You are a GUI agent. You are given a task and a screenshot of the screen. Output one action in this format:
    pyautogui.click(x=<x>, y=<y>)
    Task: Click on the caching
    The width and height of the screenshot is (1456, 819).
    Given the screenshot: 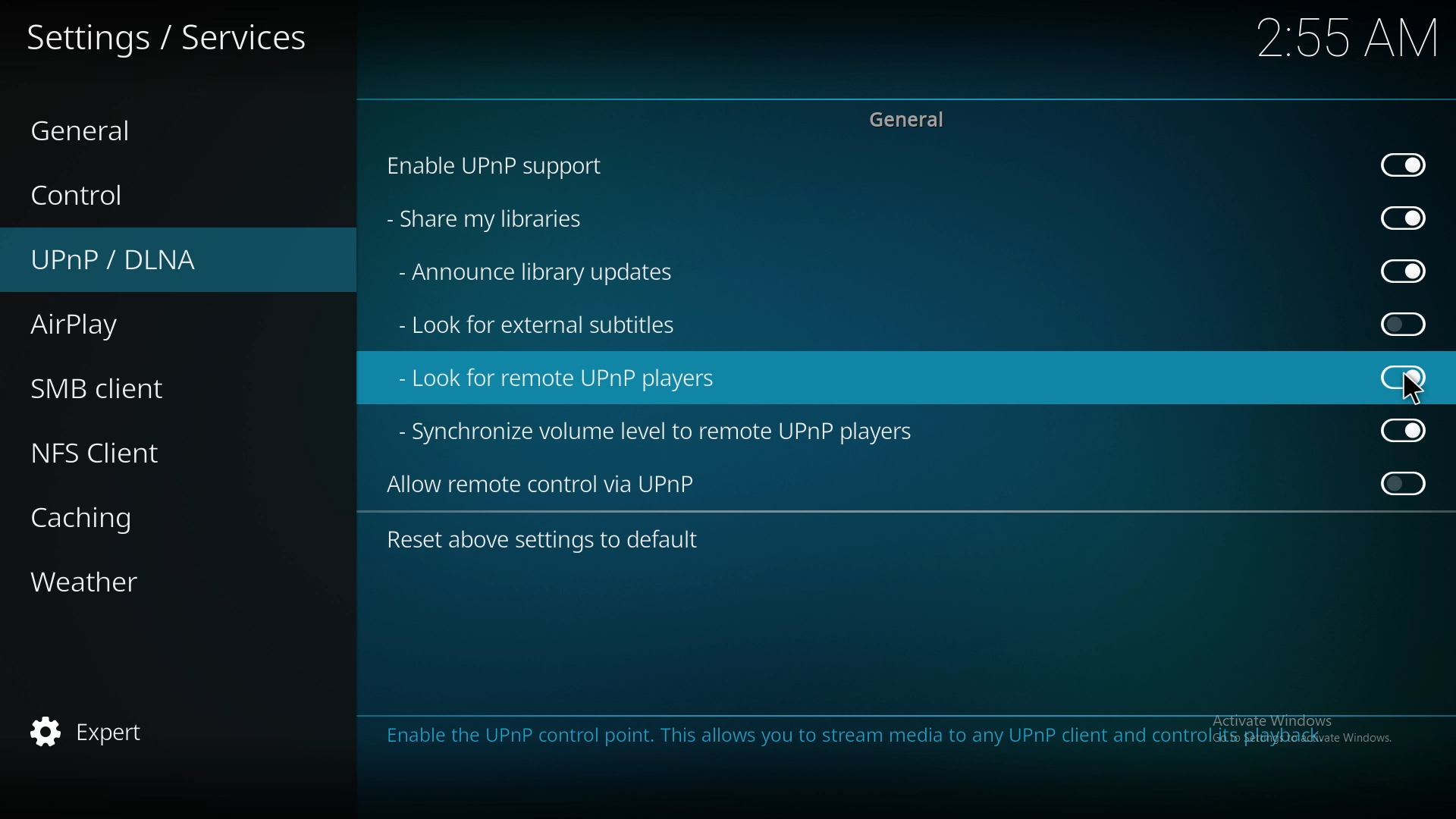 What is the action you would take?
    pyautogui.click(x=101, y=516)
    